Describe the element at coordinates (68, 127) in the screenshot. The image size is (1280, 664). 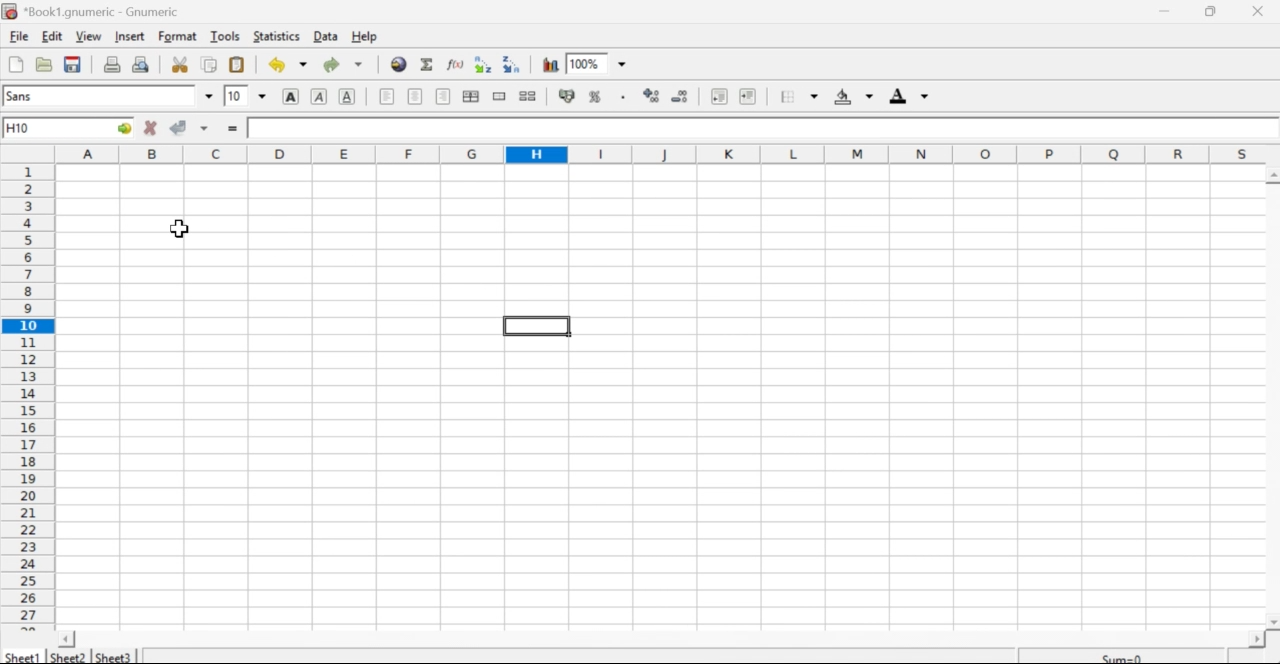
I see `Current Active Cell` at that location.